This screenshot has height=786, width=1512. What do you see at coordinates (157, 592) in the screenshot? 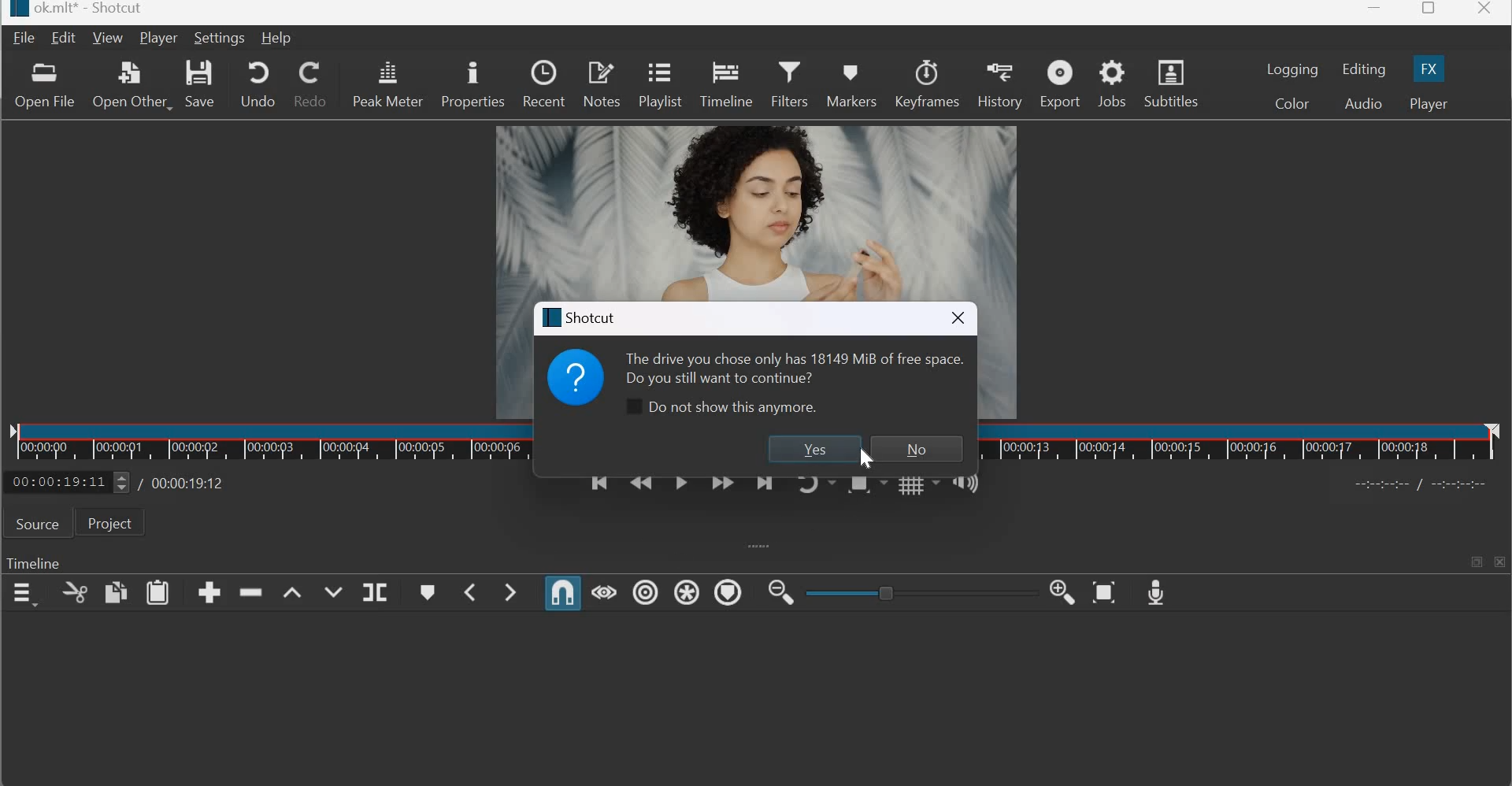
I see `paste` at bounding box center [157, 592].